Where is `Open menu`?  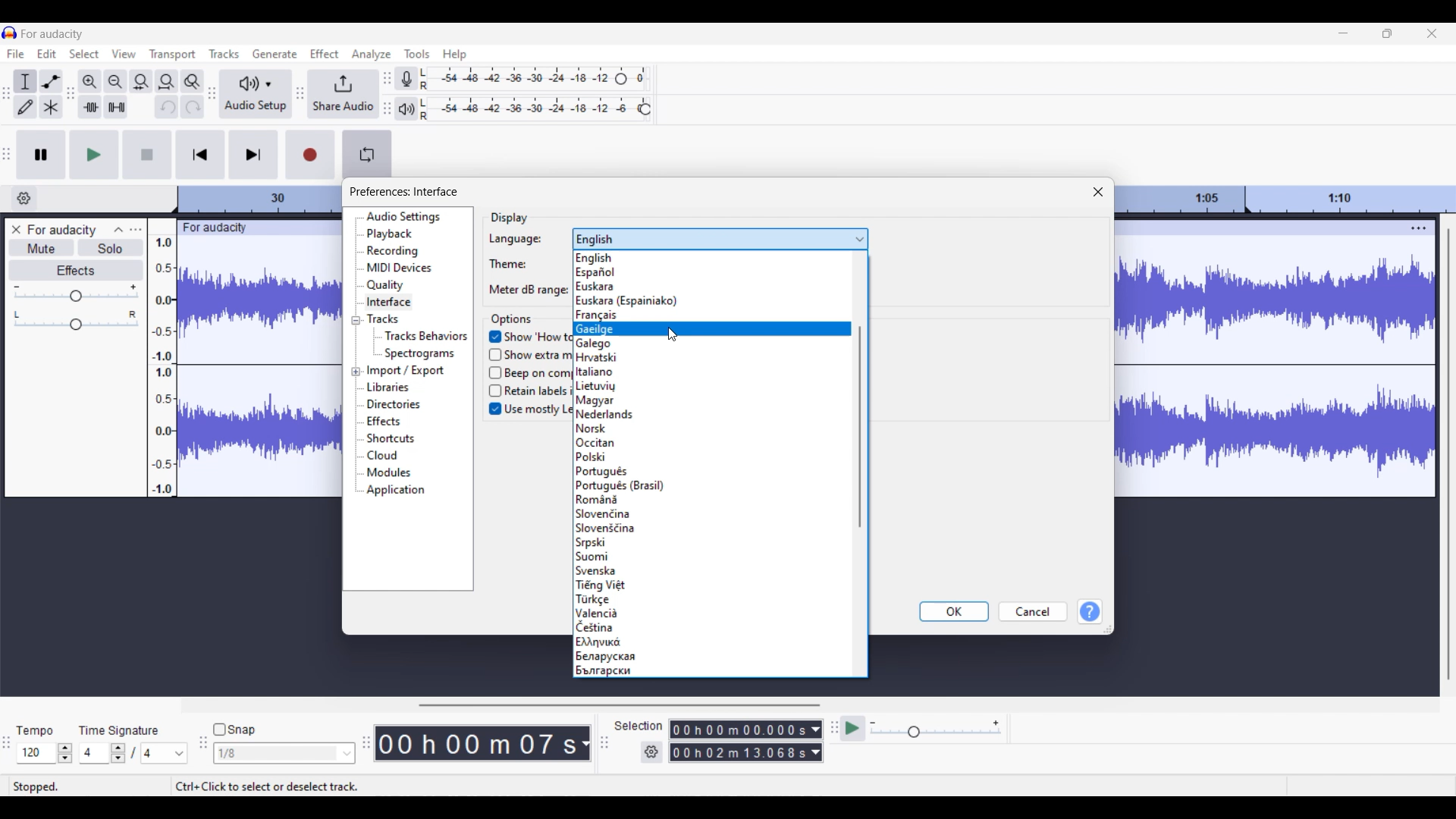 Open menu is located at coordinates (136, 231).